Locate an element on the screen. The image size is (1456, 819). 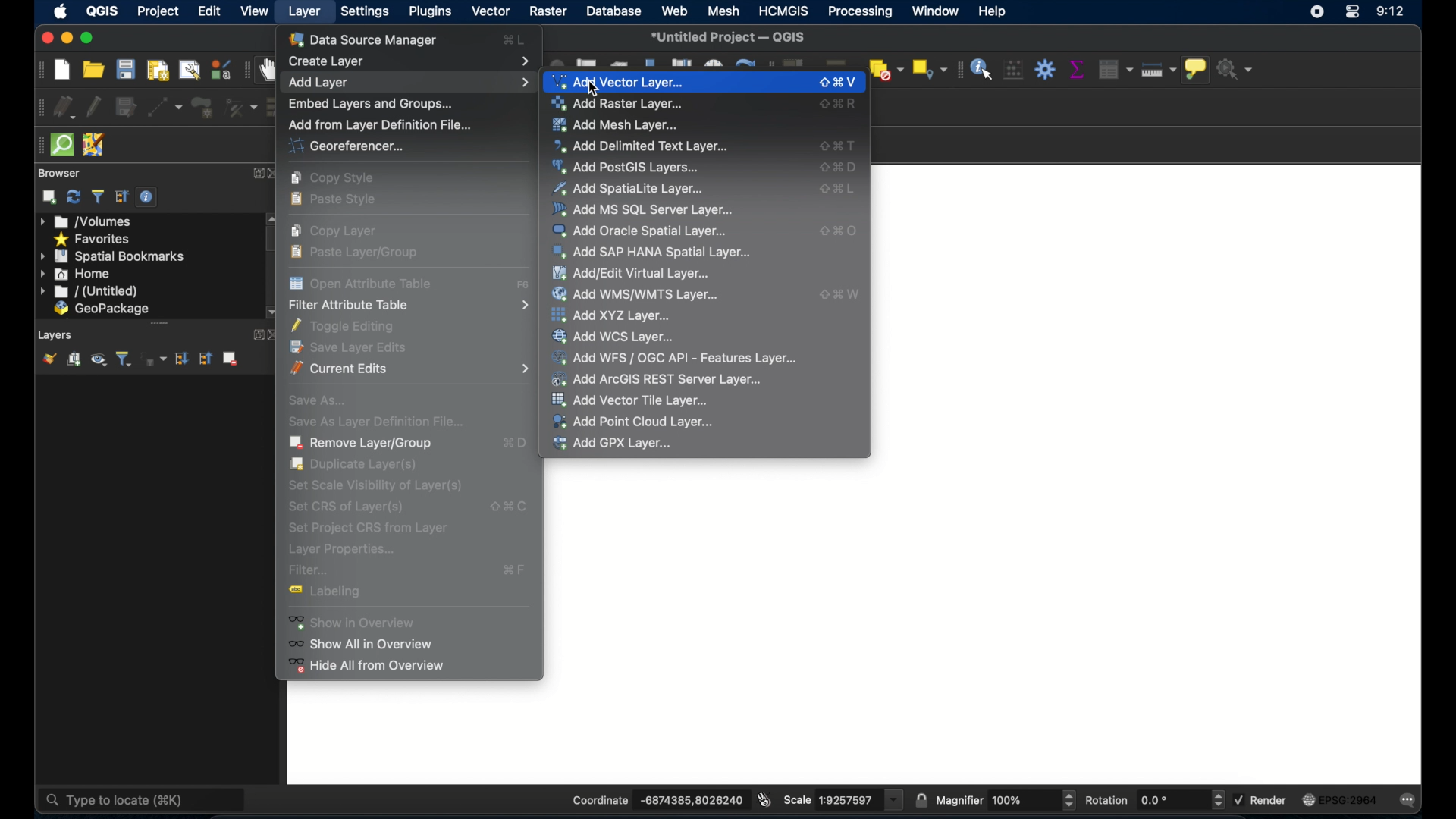
digitizing toolbar is located at coordinates (36, 107).